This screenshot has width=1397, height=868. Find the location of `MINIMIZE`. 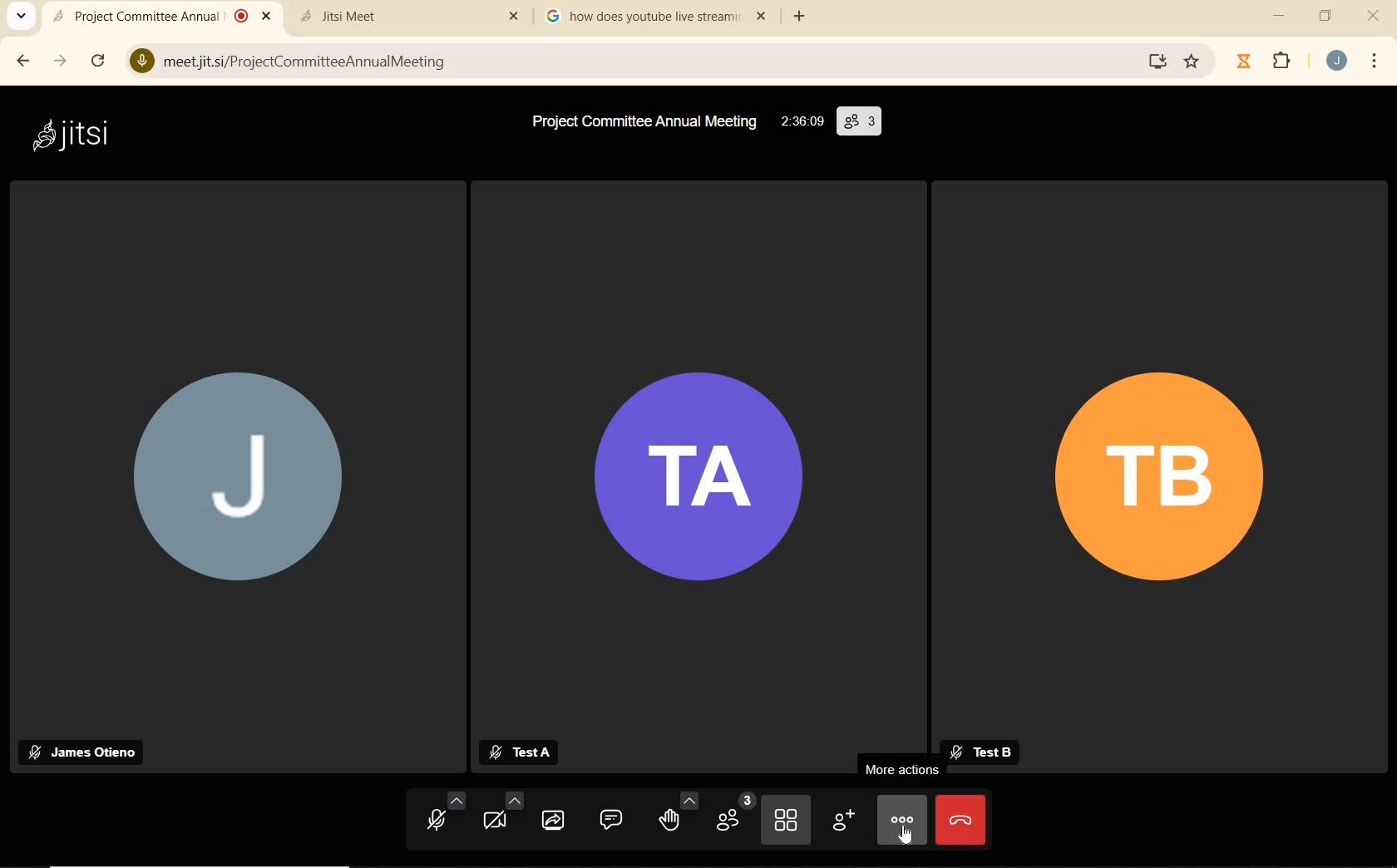

MINIMIZE is located at coordinates (1281, 18).